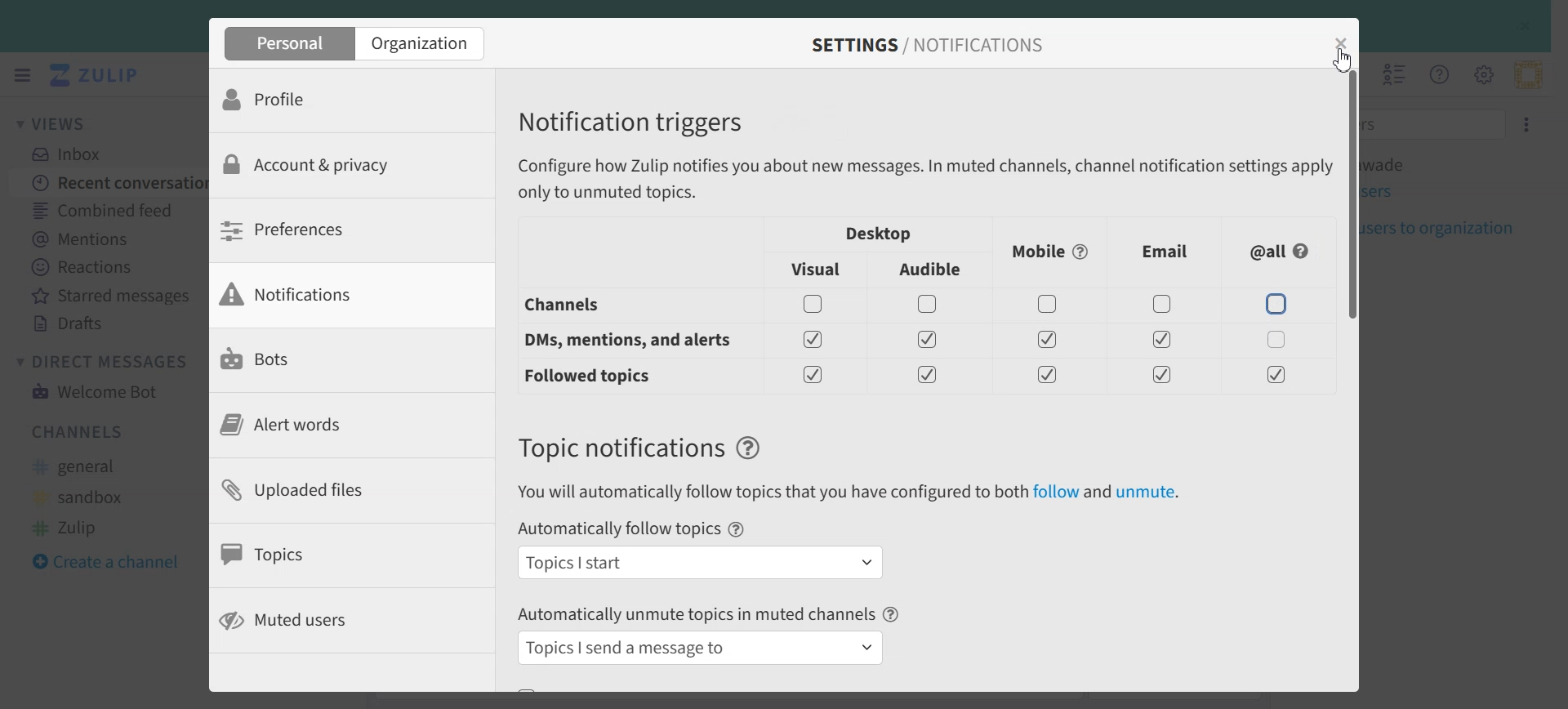  I want to click on Views, so click(60, 123).